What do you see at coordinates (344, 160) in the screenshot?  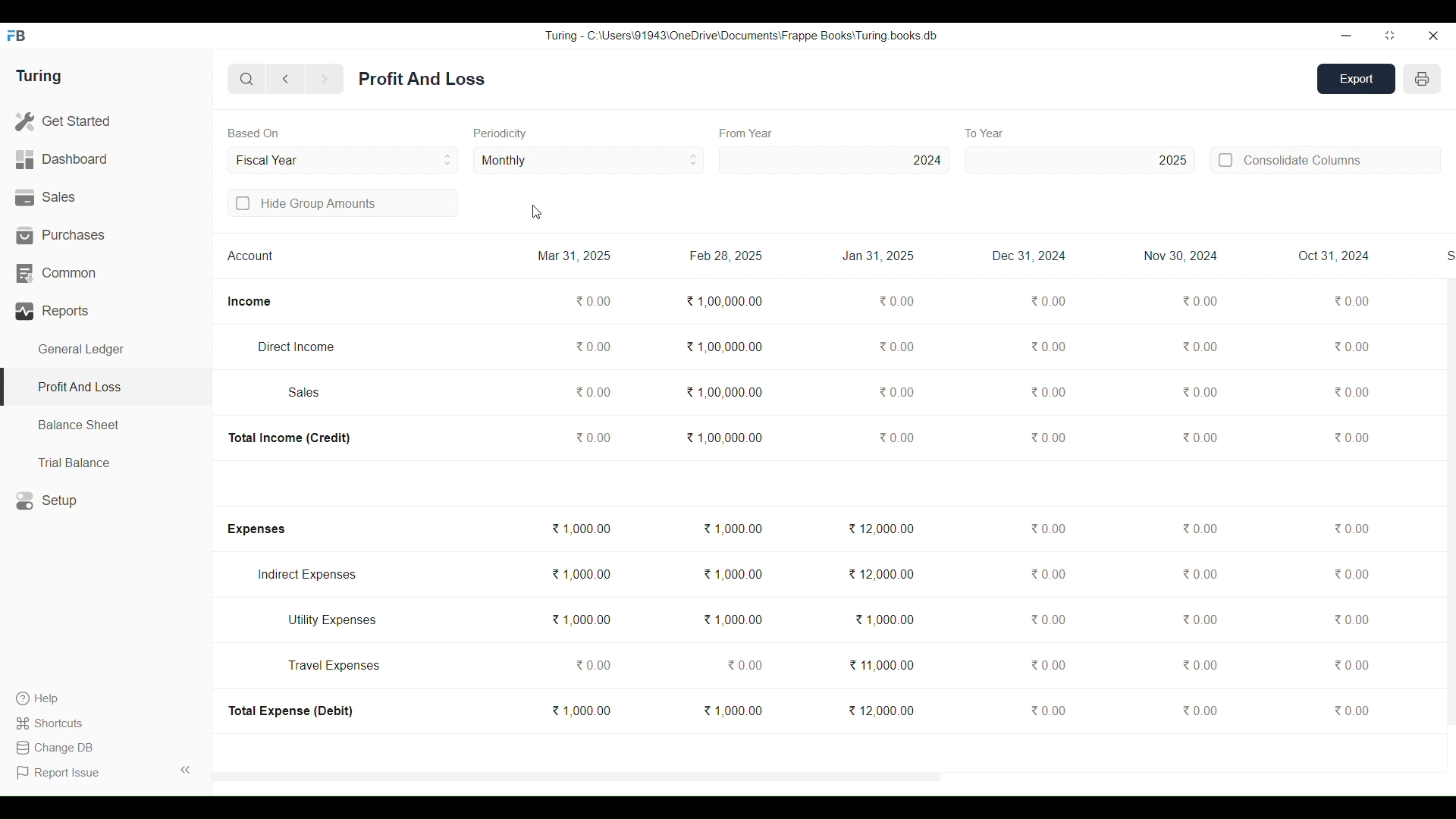 I see `Until Date` at bounding box center [344, 160].